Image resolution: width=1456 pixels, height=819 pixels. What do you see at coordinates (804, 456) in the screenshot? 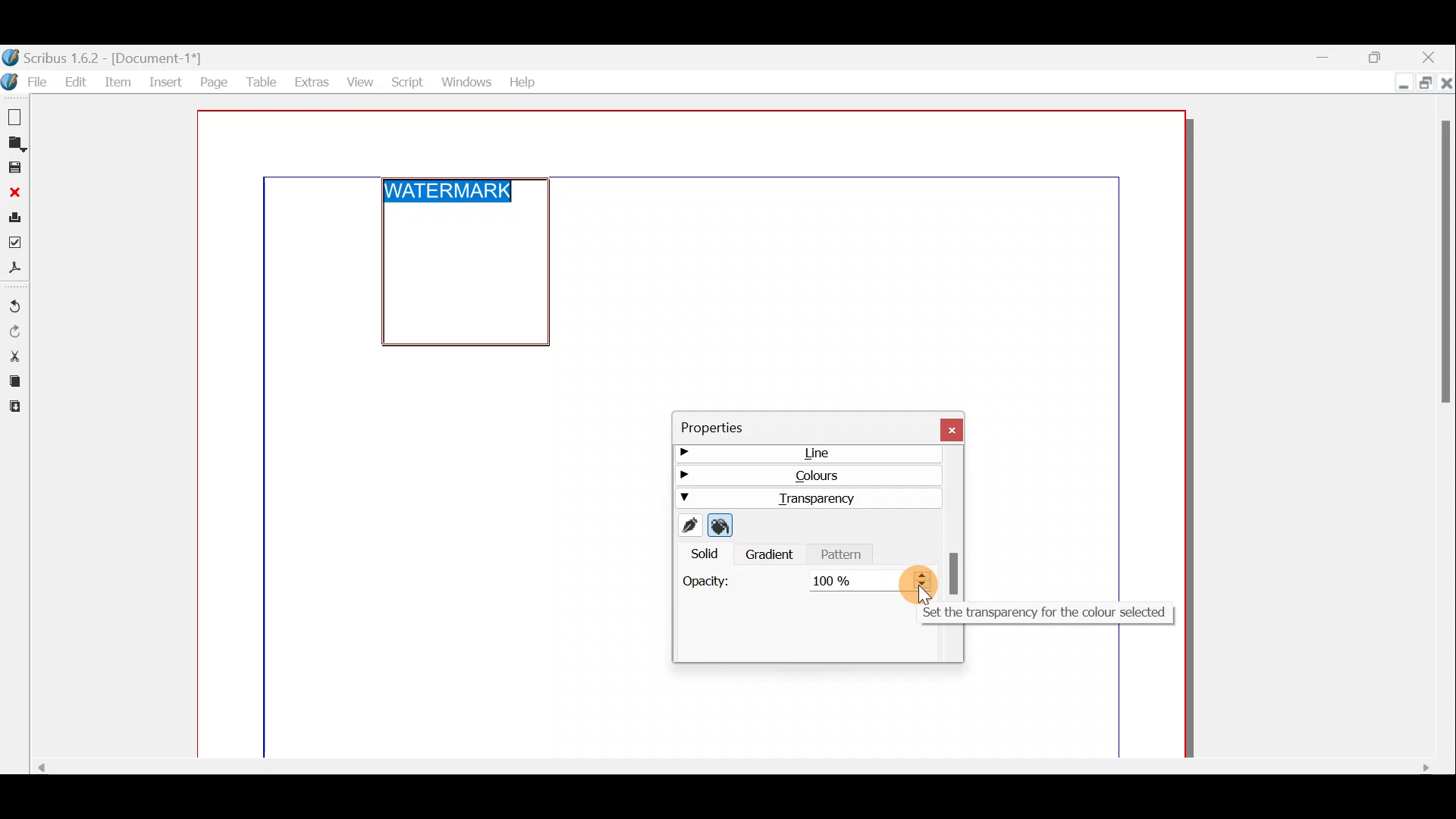
I see `Line` at bounding box center [804, 456].